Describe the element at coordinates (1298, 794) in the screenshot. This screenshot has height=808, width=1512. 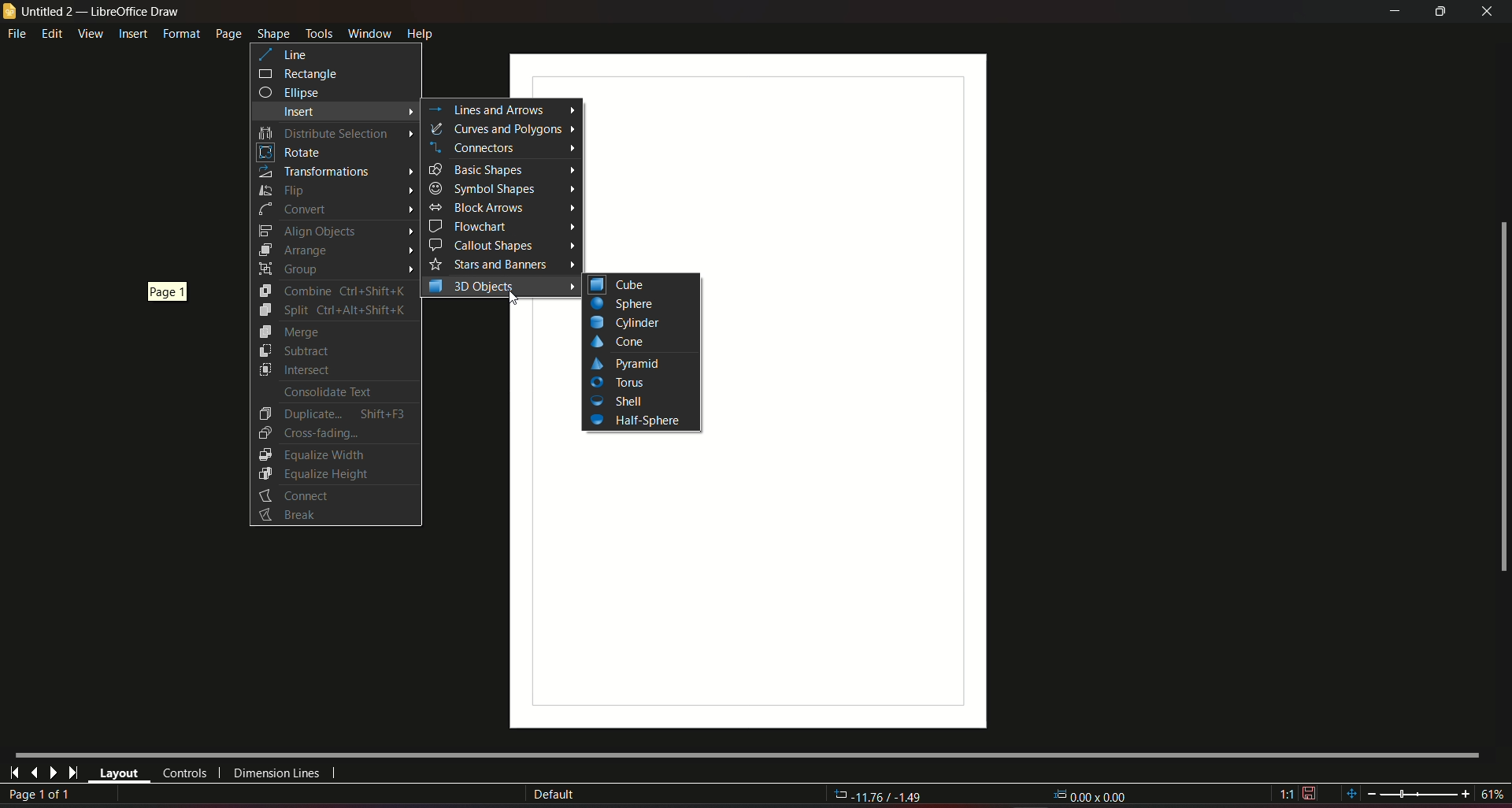
I see `1:1` at that location.